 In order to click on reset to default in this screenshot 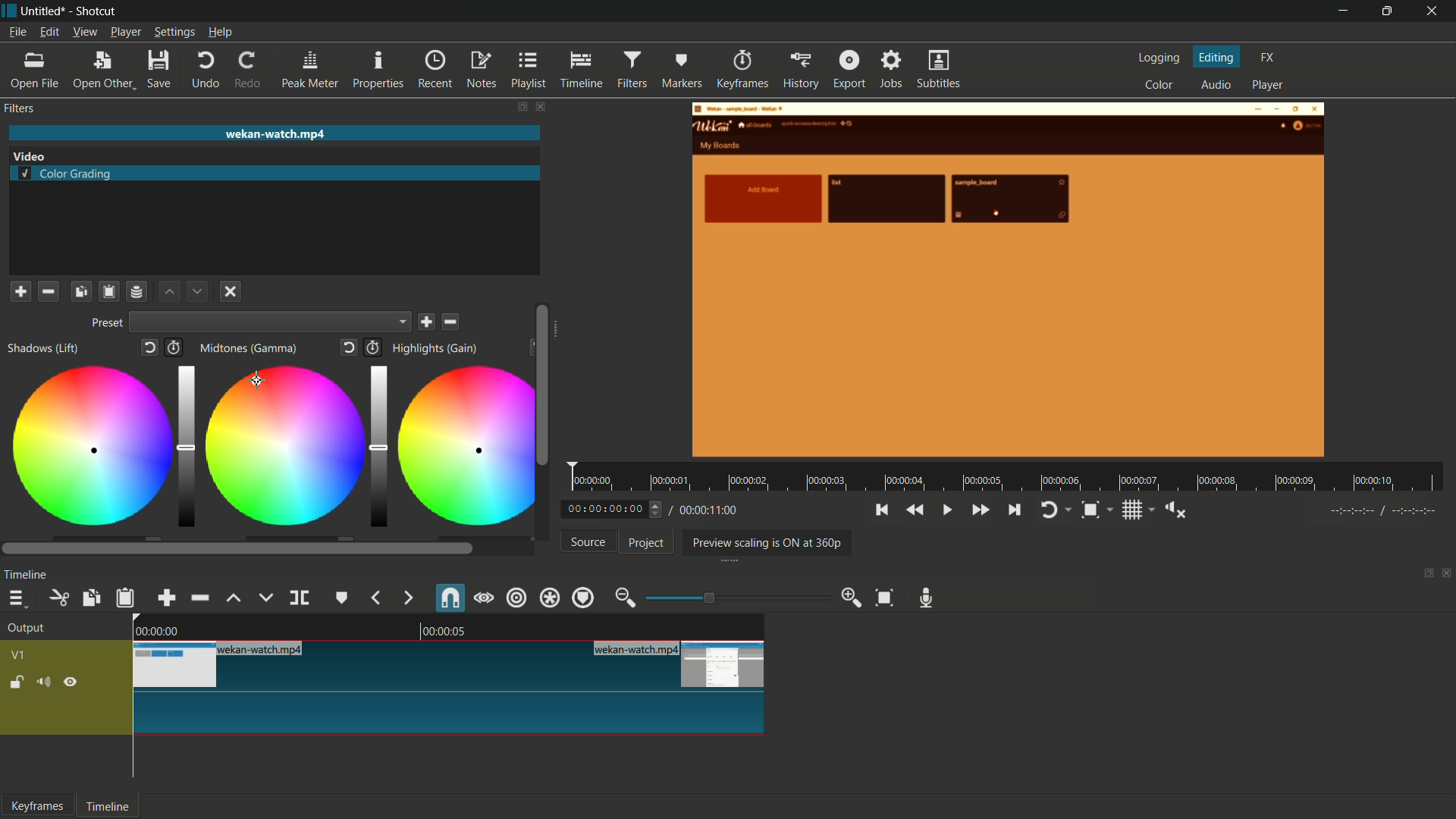, I will do `click(148, 347)`.